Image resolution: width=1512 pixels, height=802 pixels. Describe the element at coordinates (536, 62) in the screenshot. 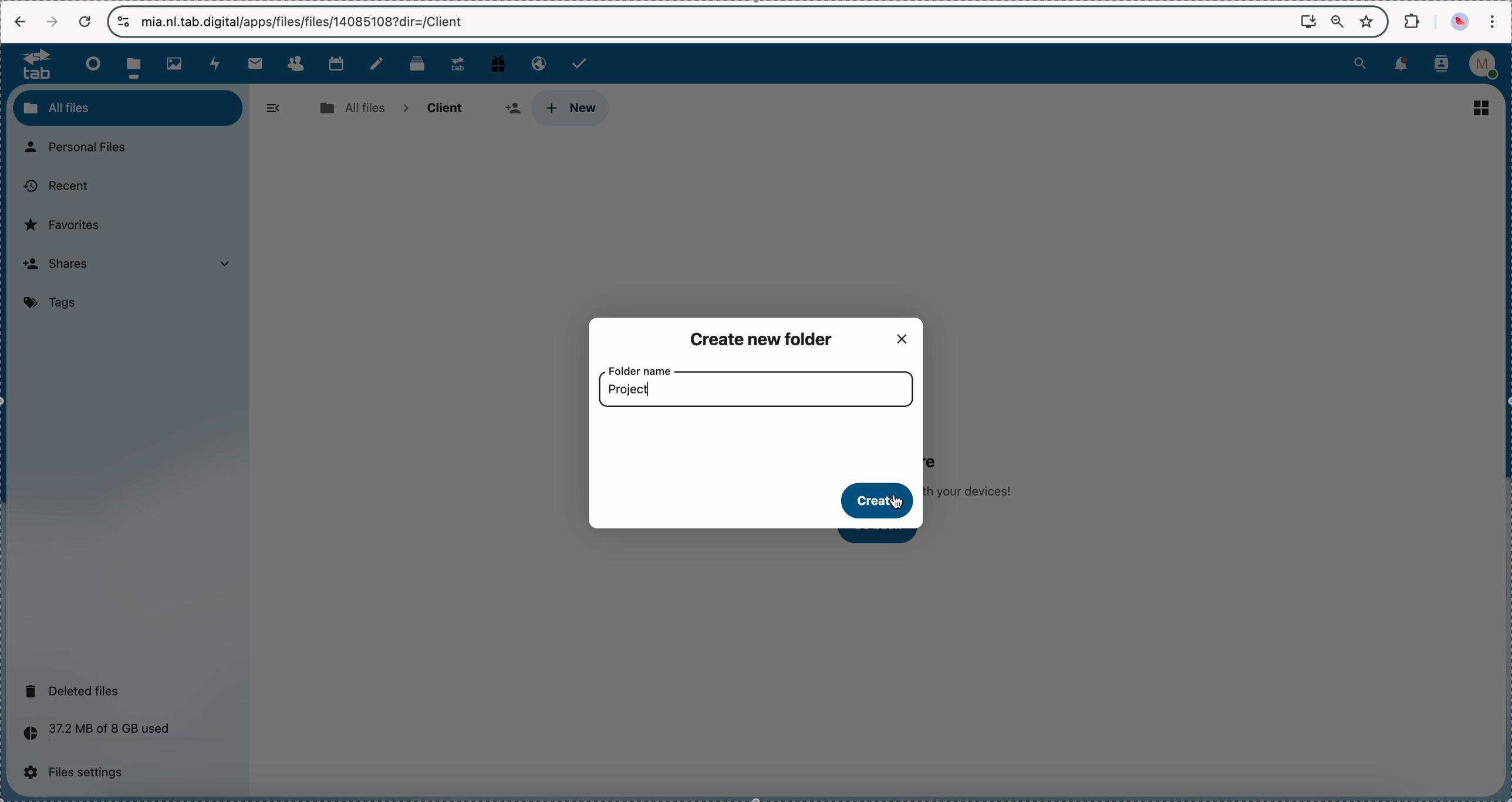

I see `email` at that location.